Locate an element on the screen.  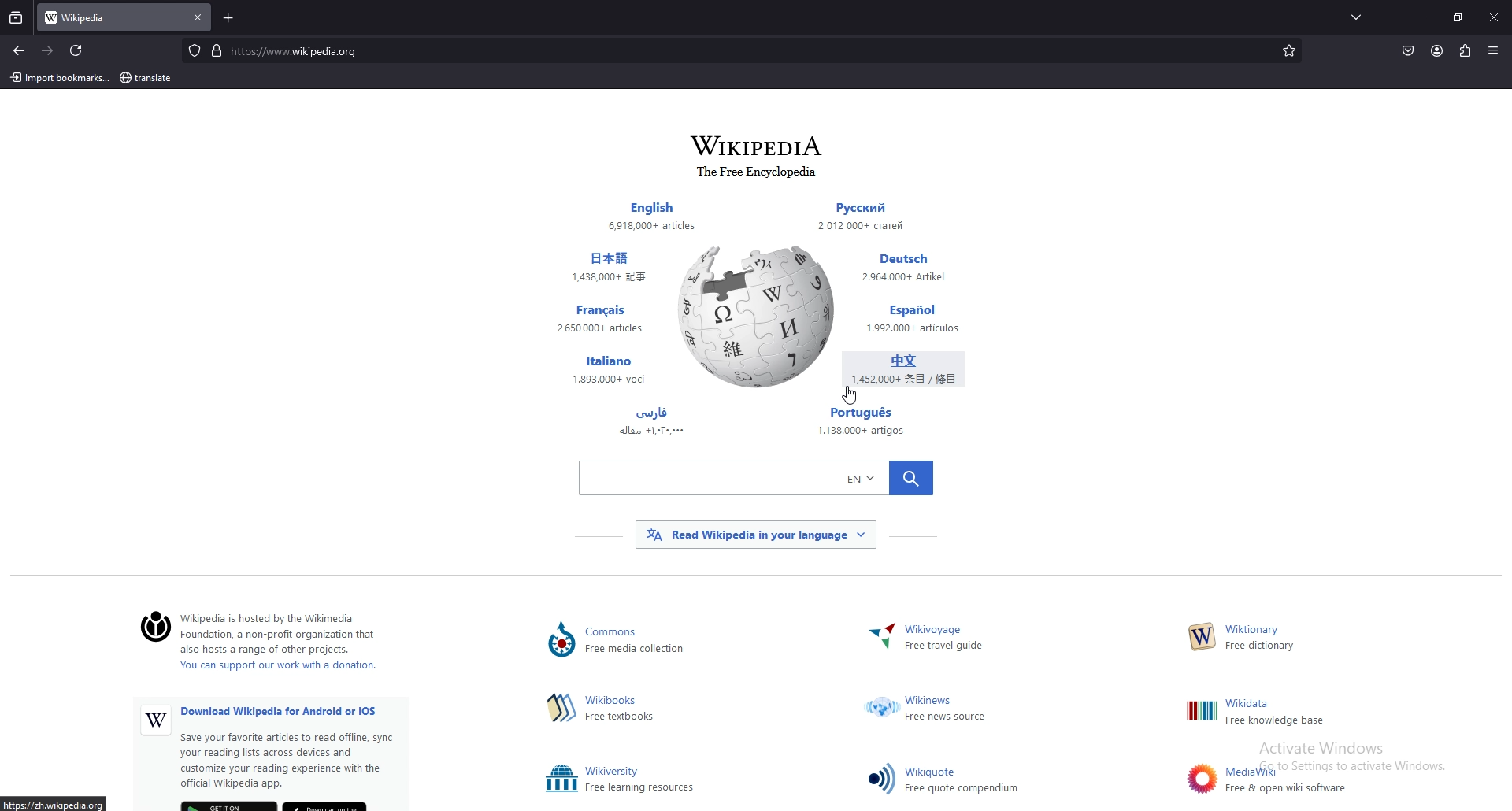
resize is located at coordinates (1458, 18).